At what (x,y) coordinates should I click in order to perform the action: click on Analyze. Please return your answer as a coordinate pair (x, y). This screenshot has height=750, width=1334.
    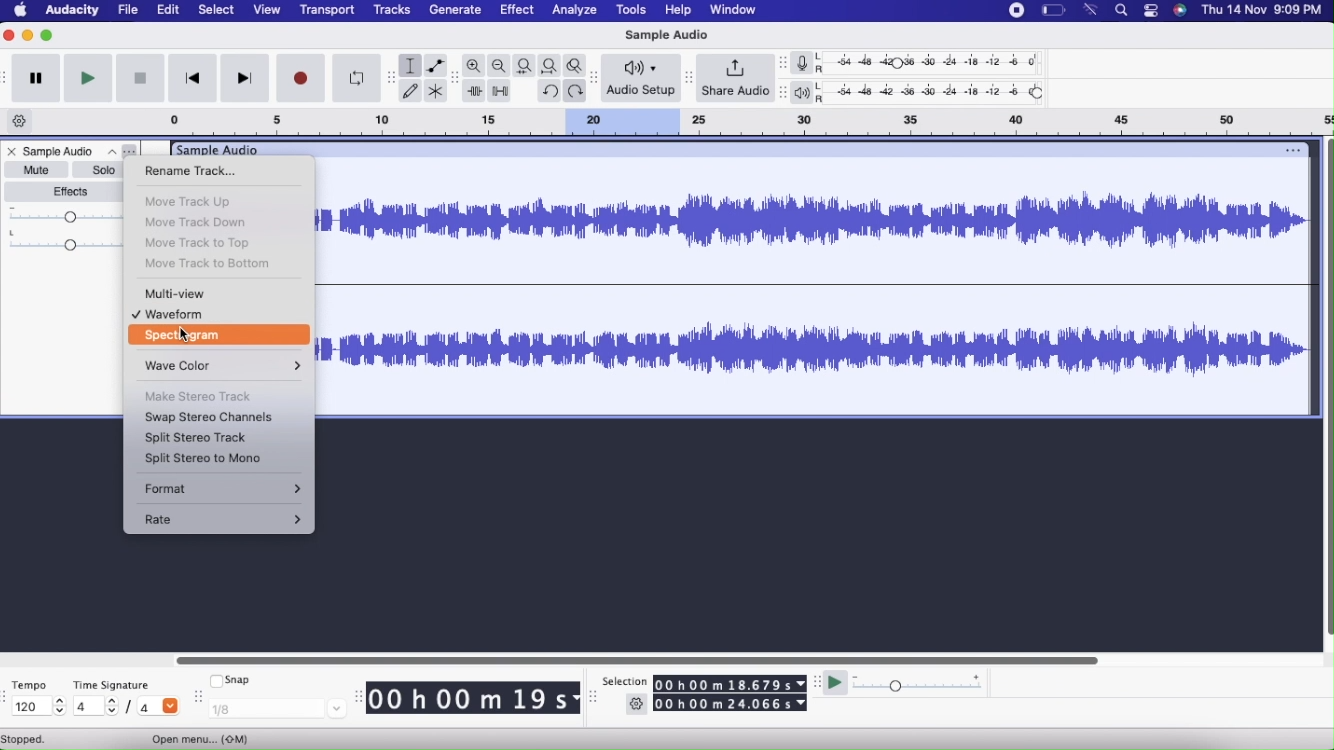
    Looking at the image, I should click on (573, 11).